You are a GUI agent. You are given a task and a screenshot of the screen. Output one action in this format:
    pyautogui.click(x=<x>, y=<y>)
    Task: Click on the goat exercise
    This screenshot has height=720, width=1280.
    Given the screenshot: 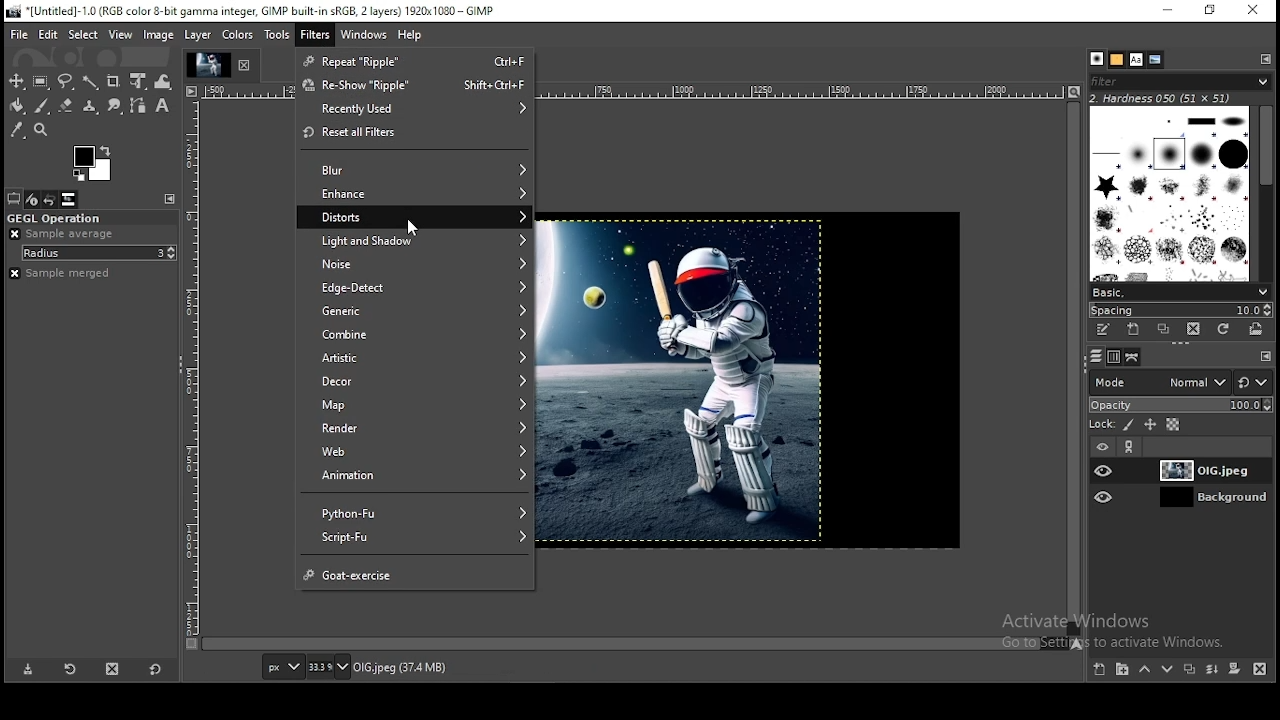 What is the action you would take?
    pyautogui.click(x=416, y=572)
    